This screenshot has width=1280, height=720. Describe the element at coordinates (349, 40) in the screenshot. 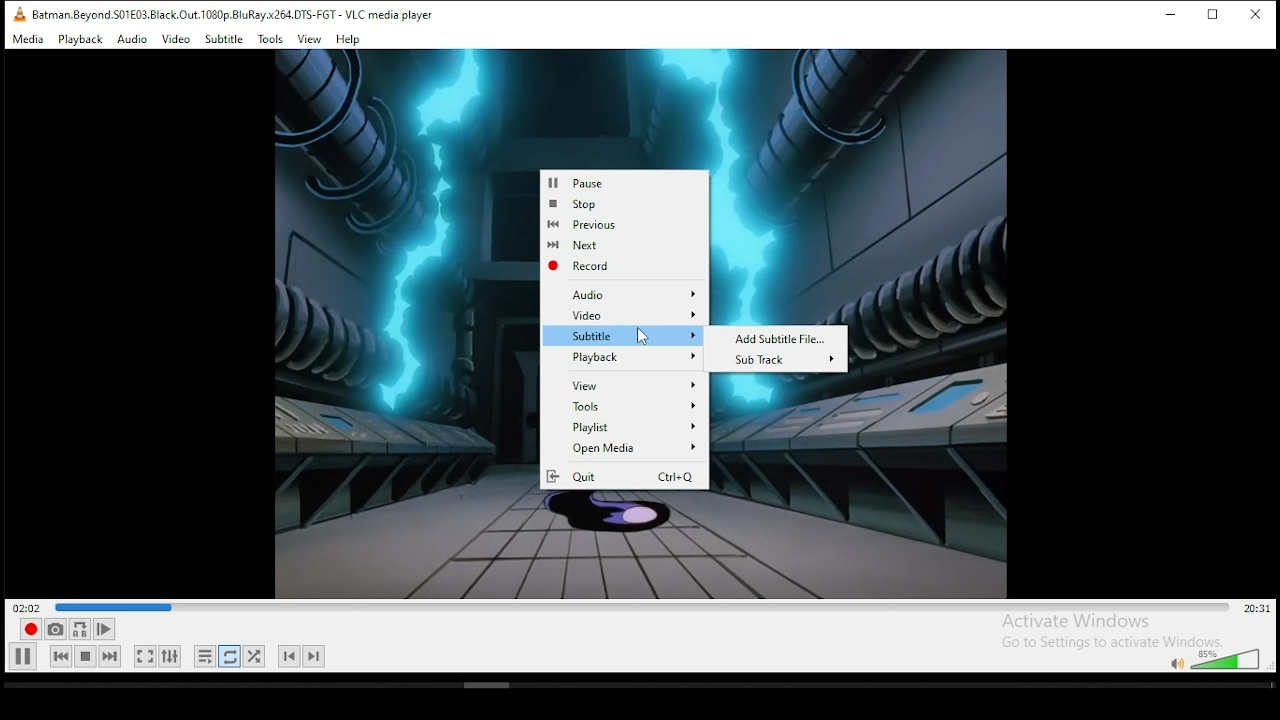

I see `help` at that location.